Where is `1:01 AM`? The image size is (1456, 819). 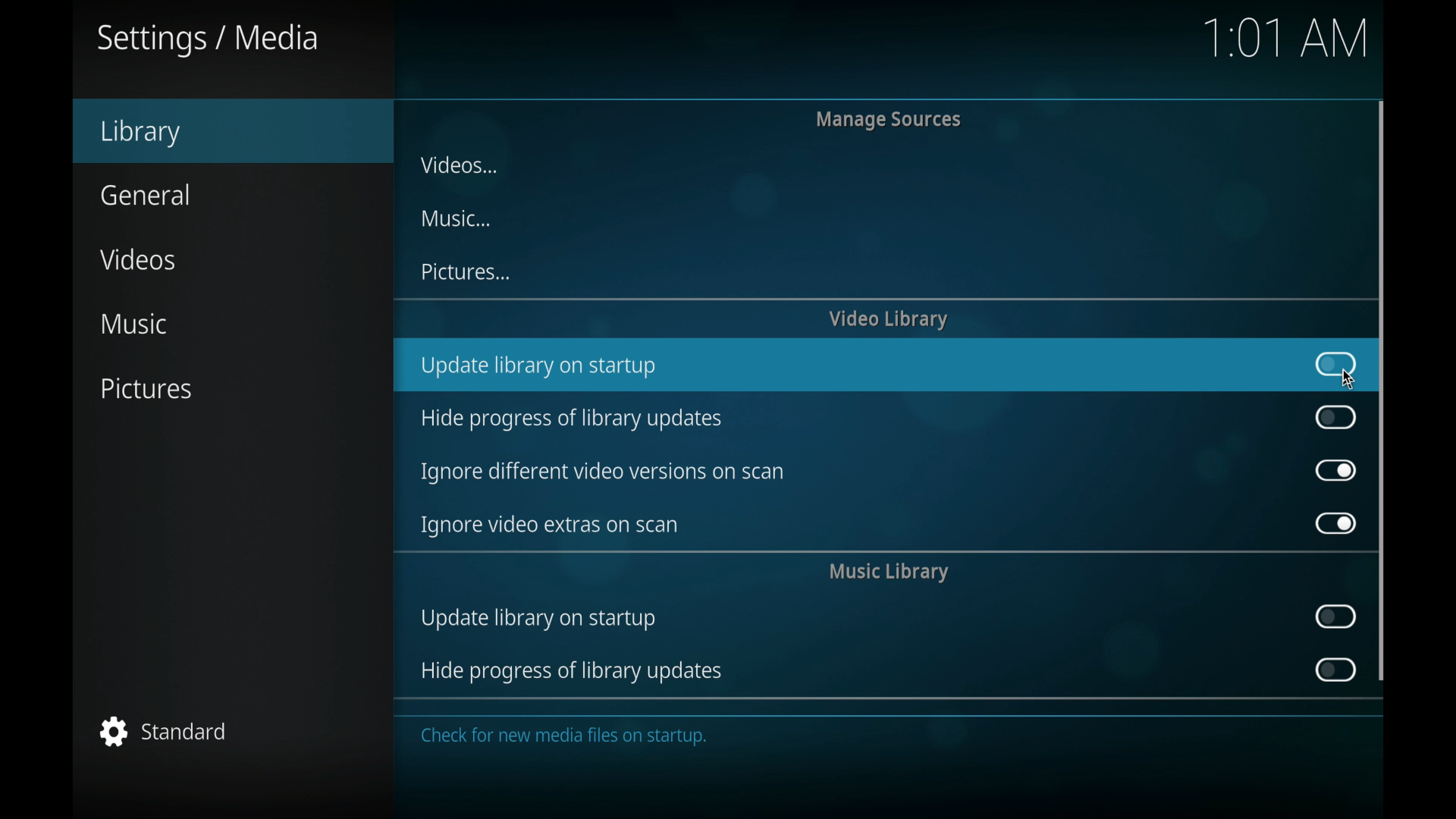
1:01 AM is located at coordinates (1282, 45).